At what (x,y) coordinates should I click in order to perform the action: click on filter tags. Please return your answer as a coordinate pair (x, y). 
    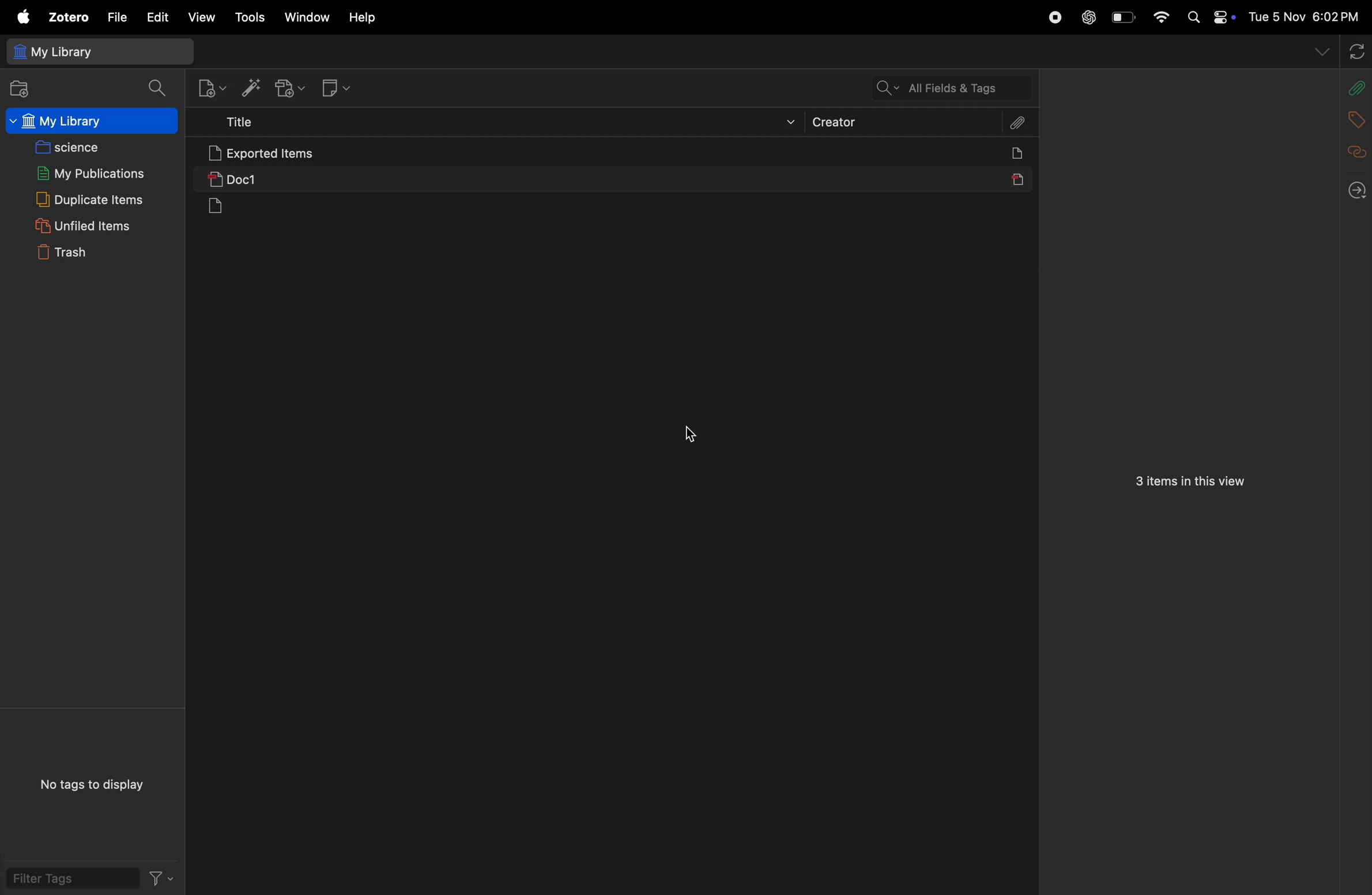
    Looking at the image, I should click on (66, 882).